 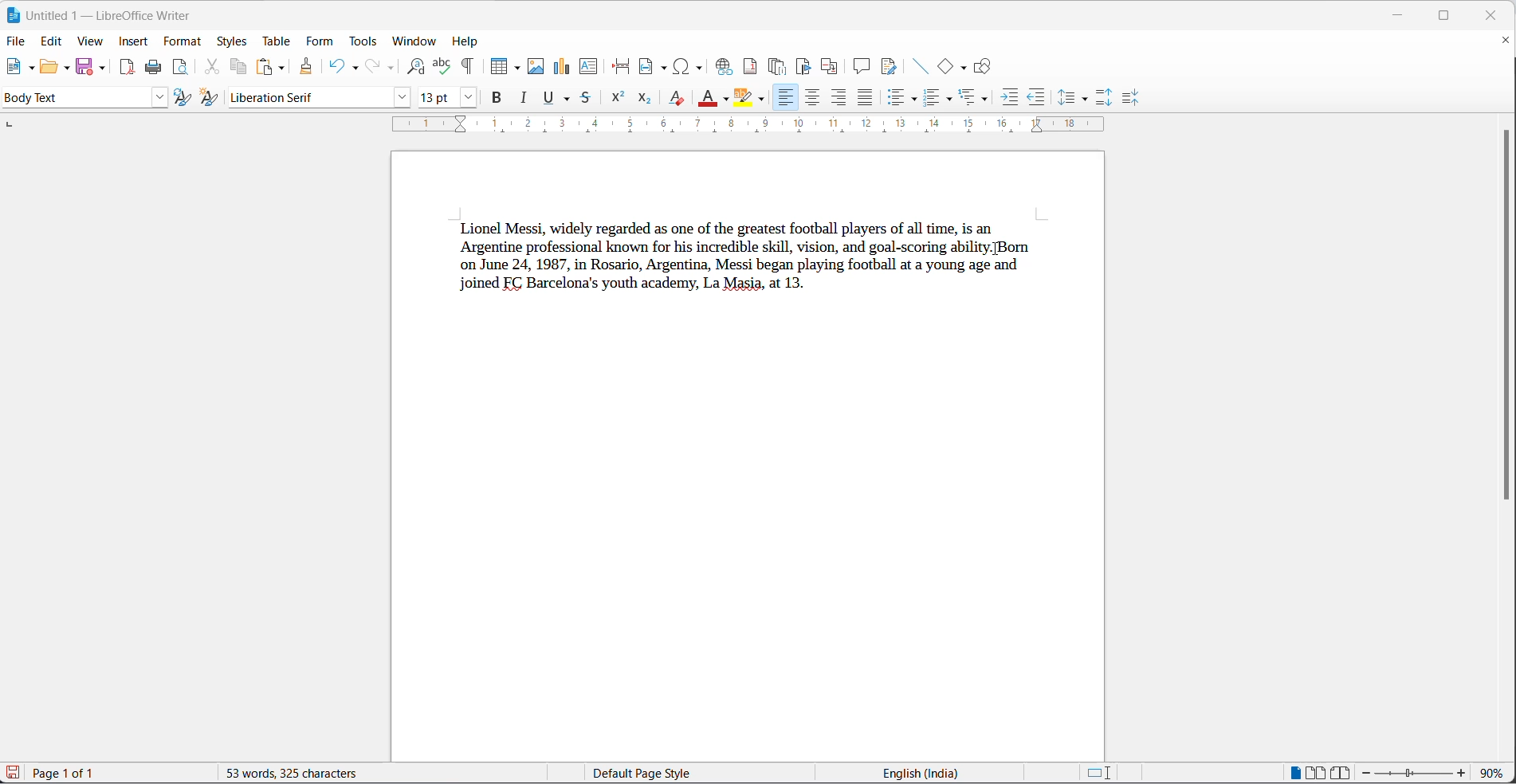 What do you see at coordinates (1035, 97) in the screenshot?
I see `decrease indent` at bounding box center [1035, 97].